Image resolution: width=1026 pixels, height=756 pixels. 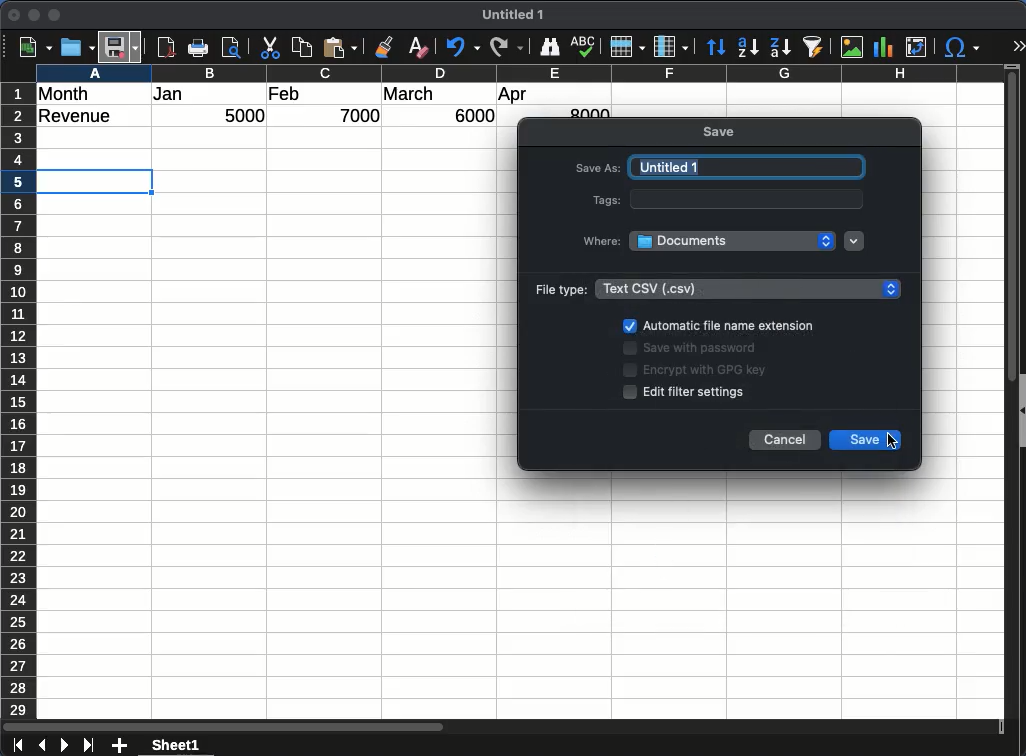 I want to click on copy, so click(x=303, y=48).